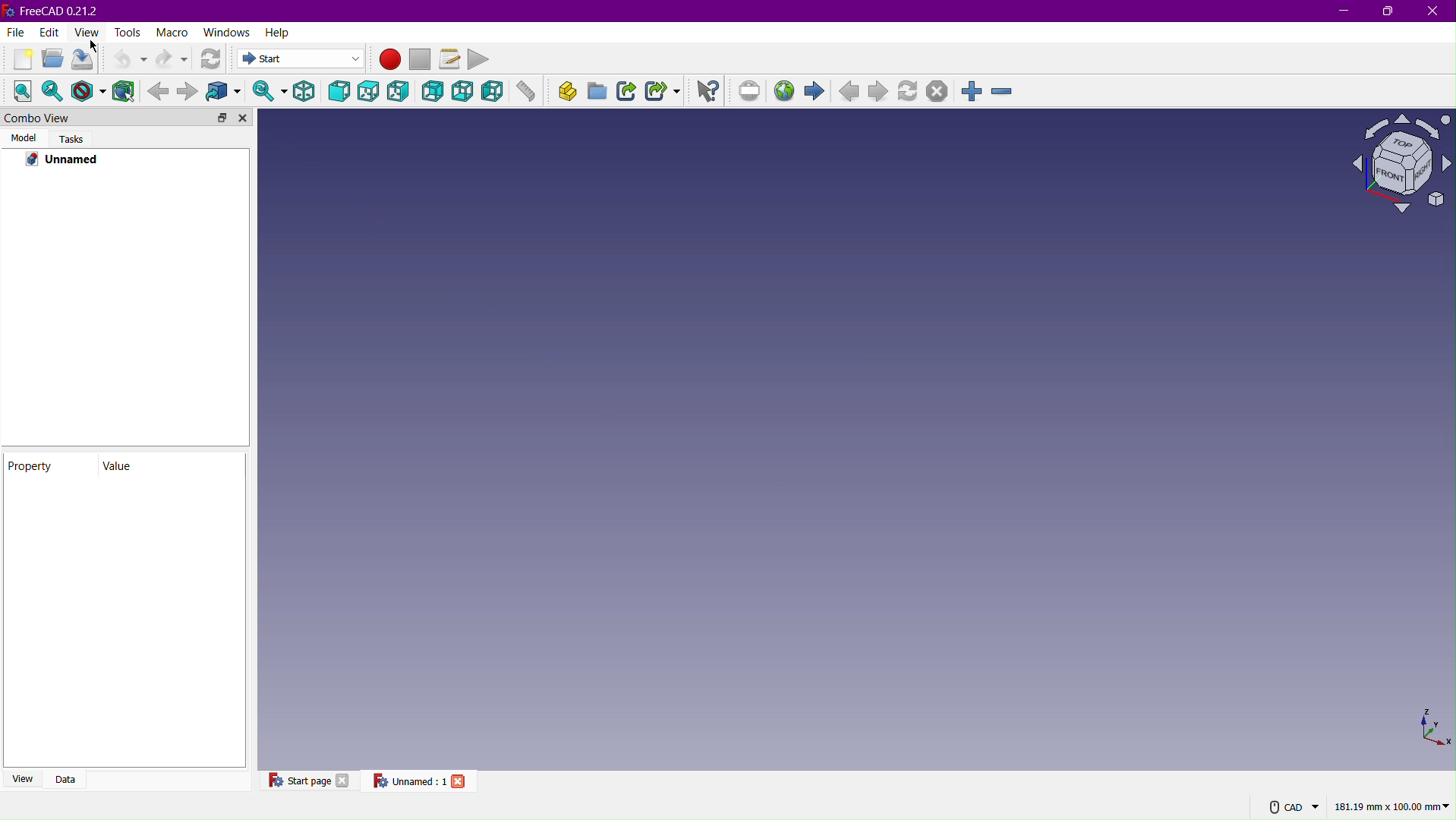  I want to click on XYZ view, so click(1429, 727).